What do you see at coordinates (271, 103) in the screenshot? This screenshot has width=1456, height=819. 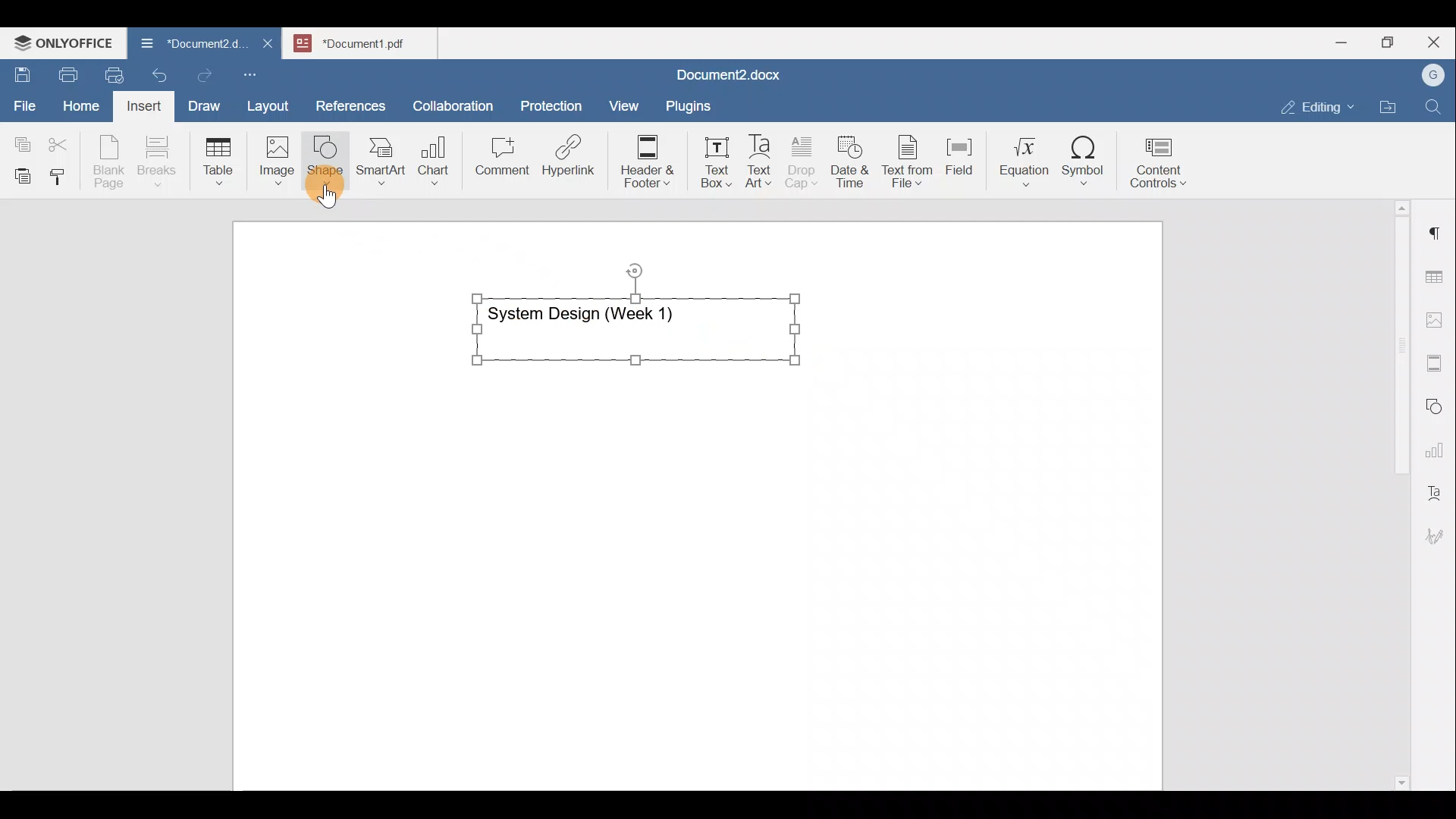 I see `Layout` at bounding box center [271, 103].